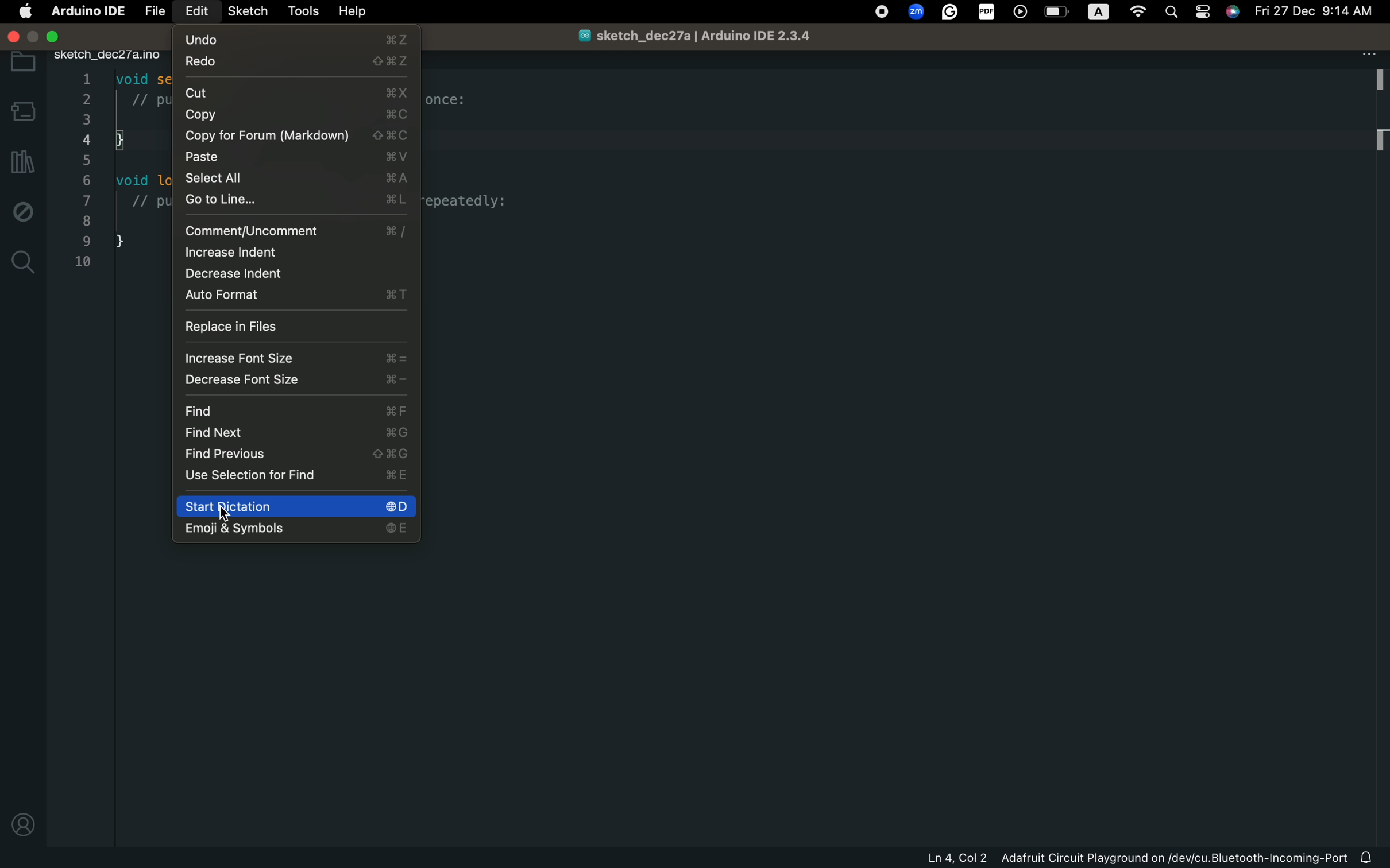 The width and height of the screenshot is (1390, 868). What do you see at coordinates (296, 455) in the screenshot?
I see `find previous` at bounding box center [296, 455].